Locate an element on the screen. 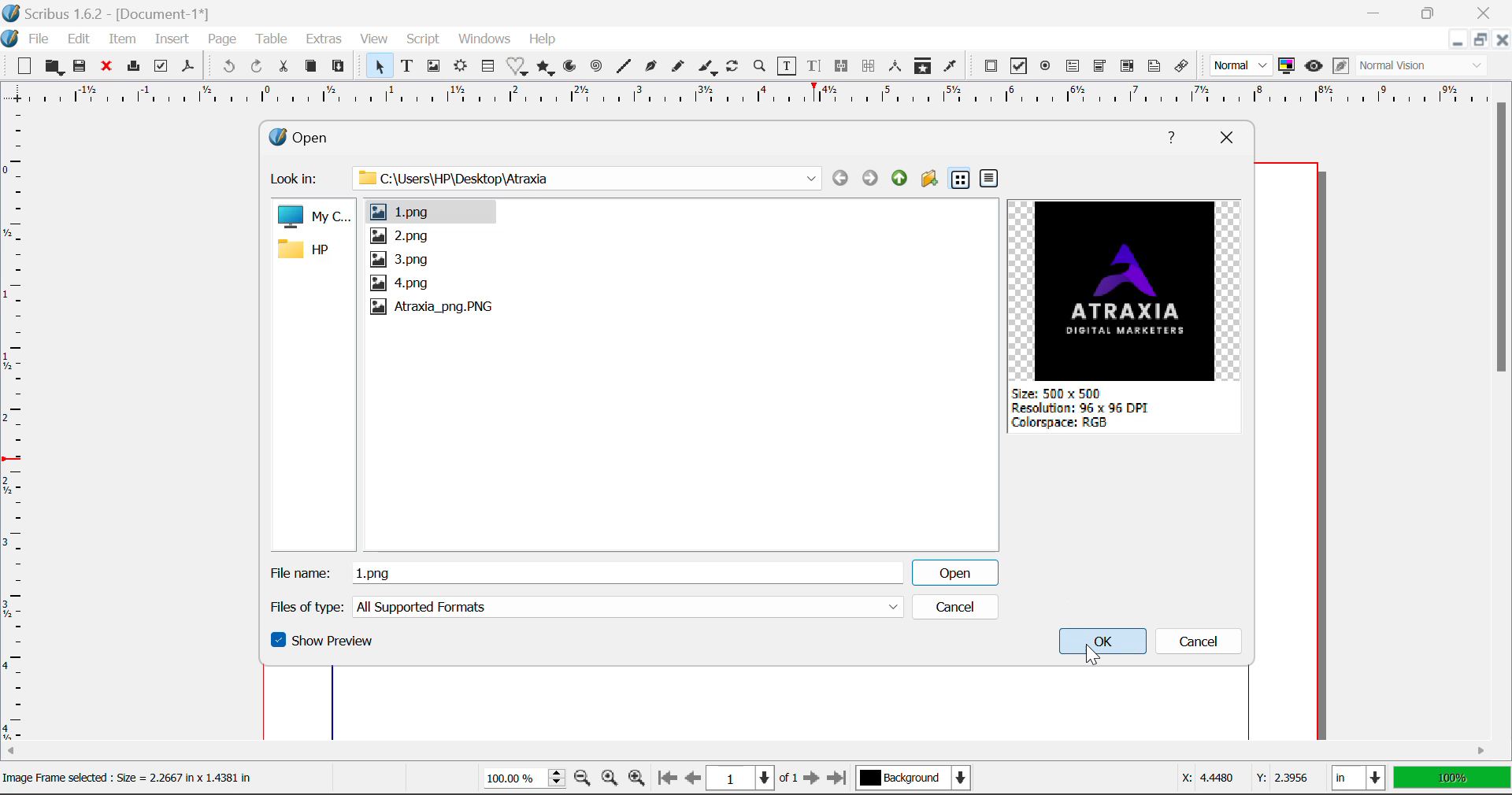 The image size is (1512, 795). My Computer is located at coordinates (313, 217).